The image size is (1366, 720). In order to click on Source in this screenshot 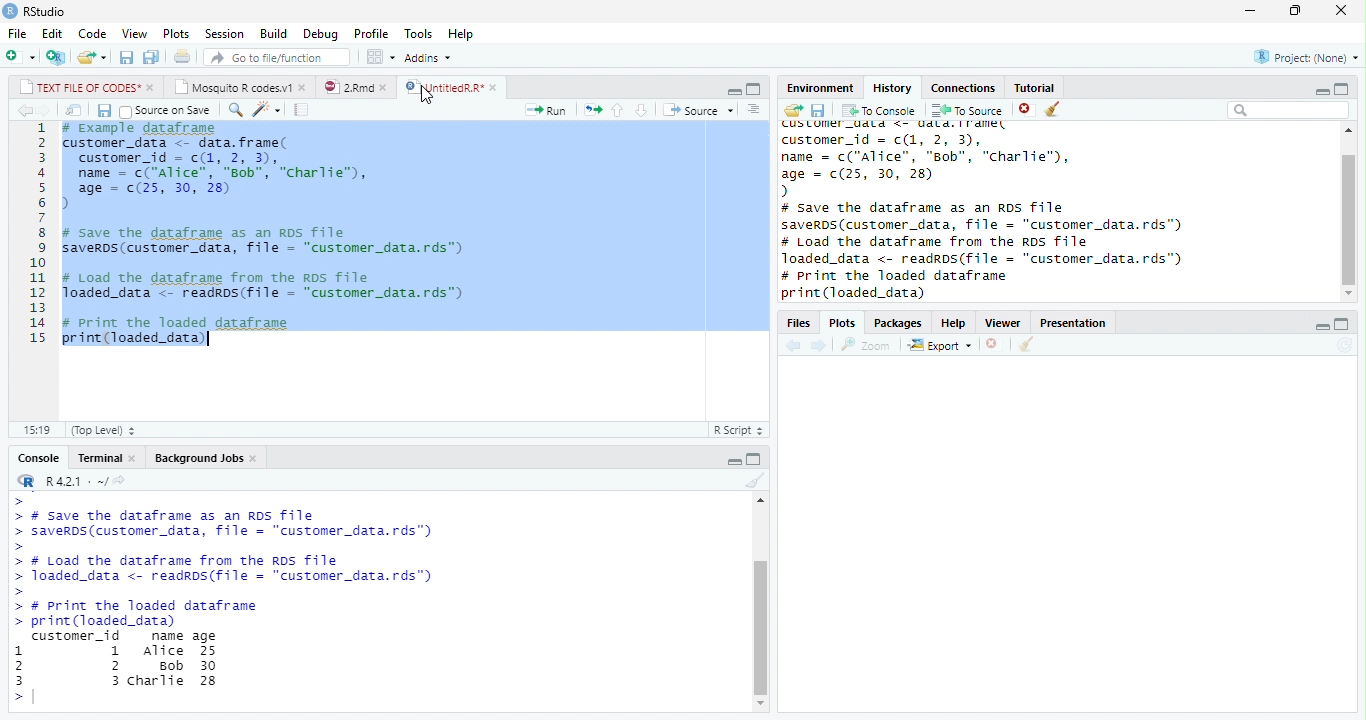, I will do `click(700, 111)`.